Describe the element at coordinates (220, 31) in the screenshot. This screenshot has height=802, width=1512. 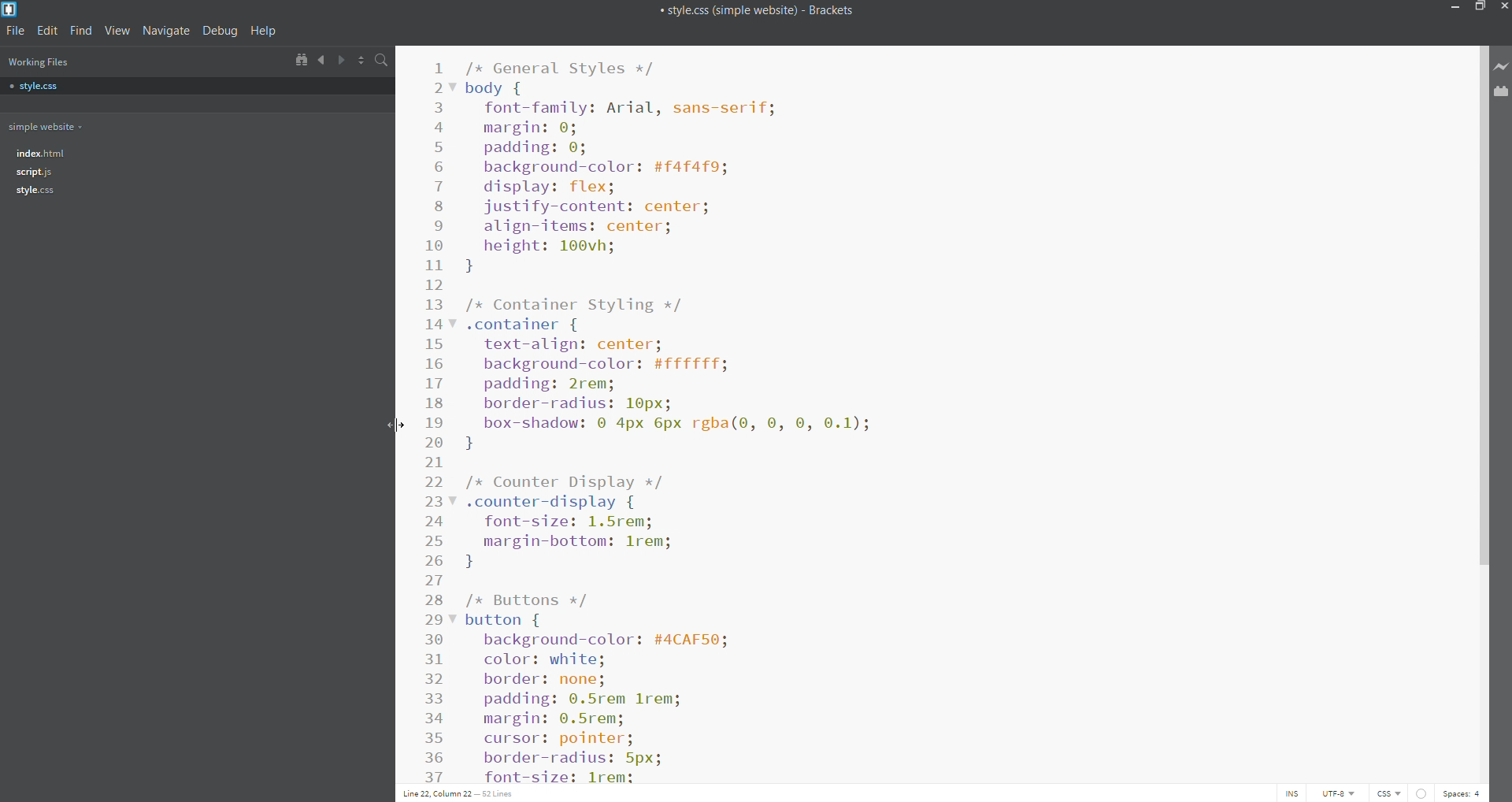
I see `debug` at that location.